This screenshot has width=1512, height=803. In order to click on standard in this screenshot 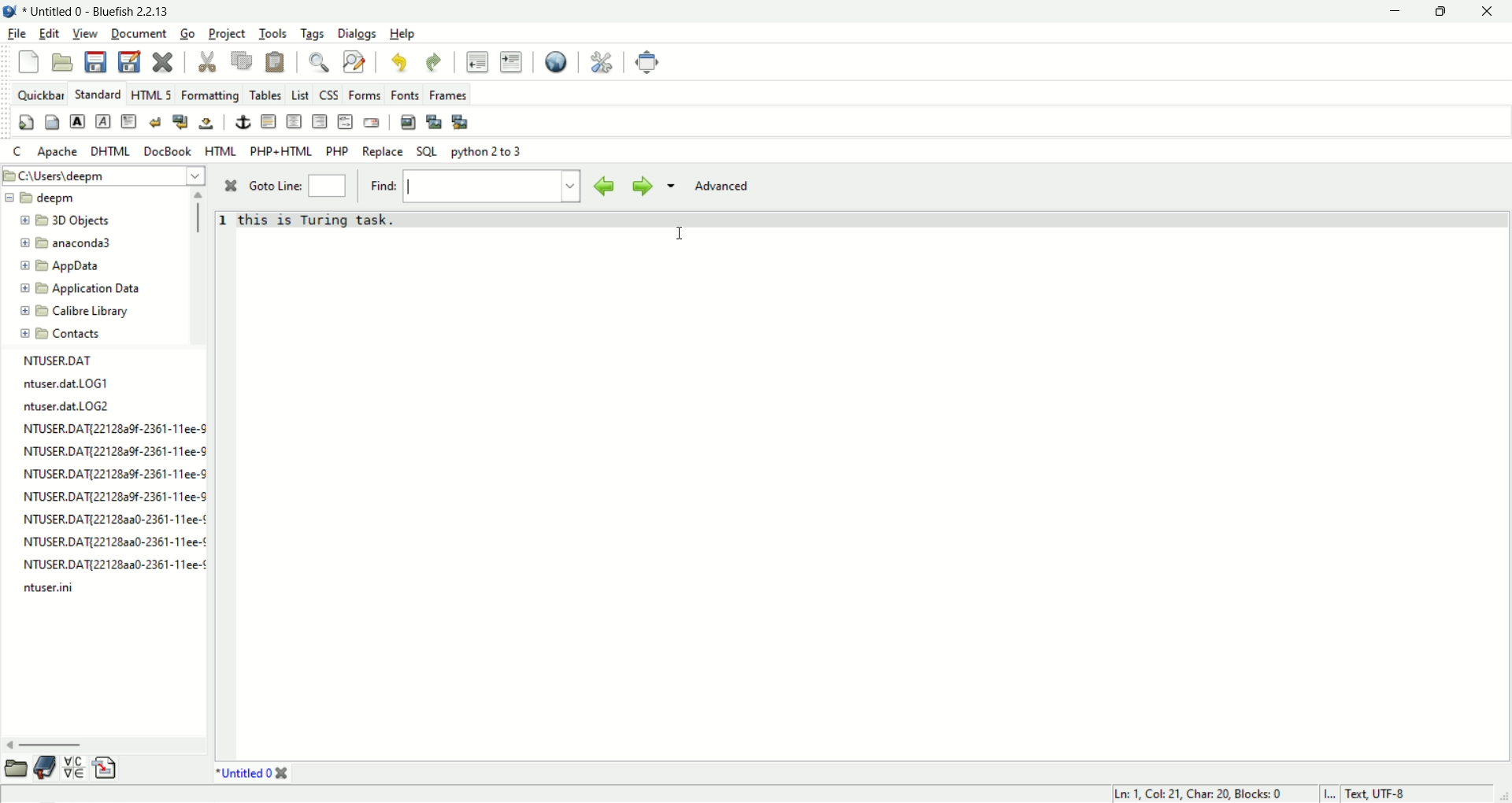, I will do `click(98, 93)`.